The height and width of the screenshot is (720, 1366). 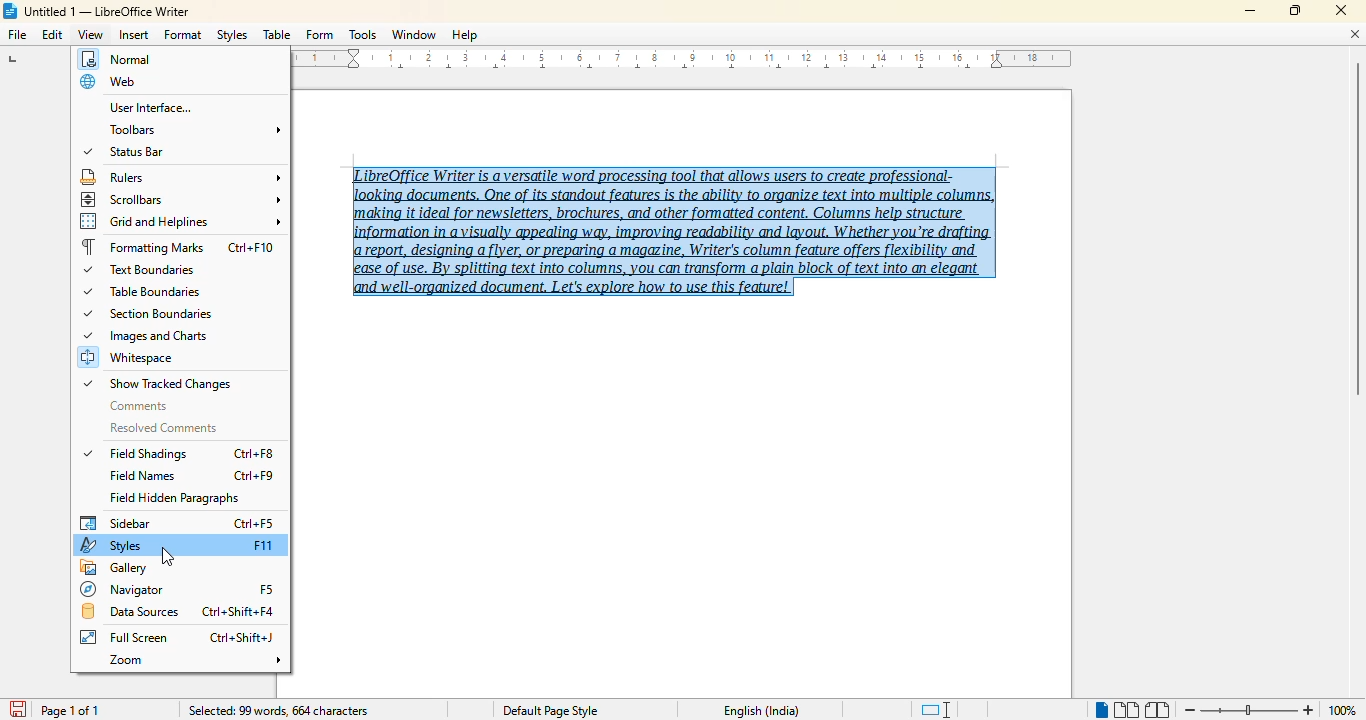 What do you see at coordinates (71, 711) in the screenshot?
I see `page 1 of 1` at bounding box center [71, 711].